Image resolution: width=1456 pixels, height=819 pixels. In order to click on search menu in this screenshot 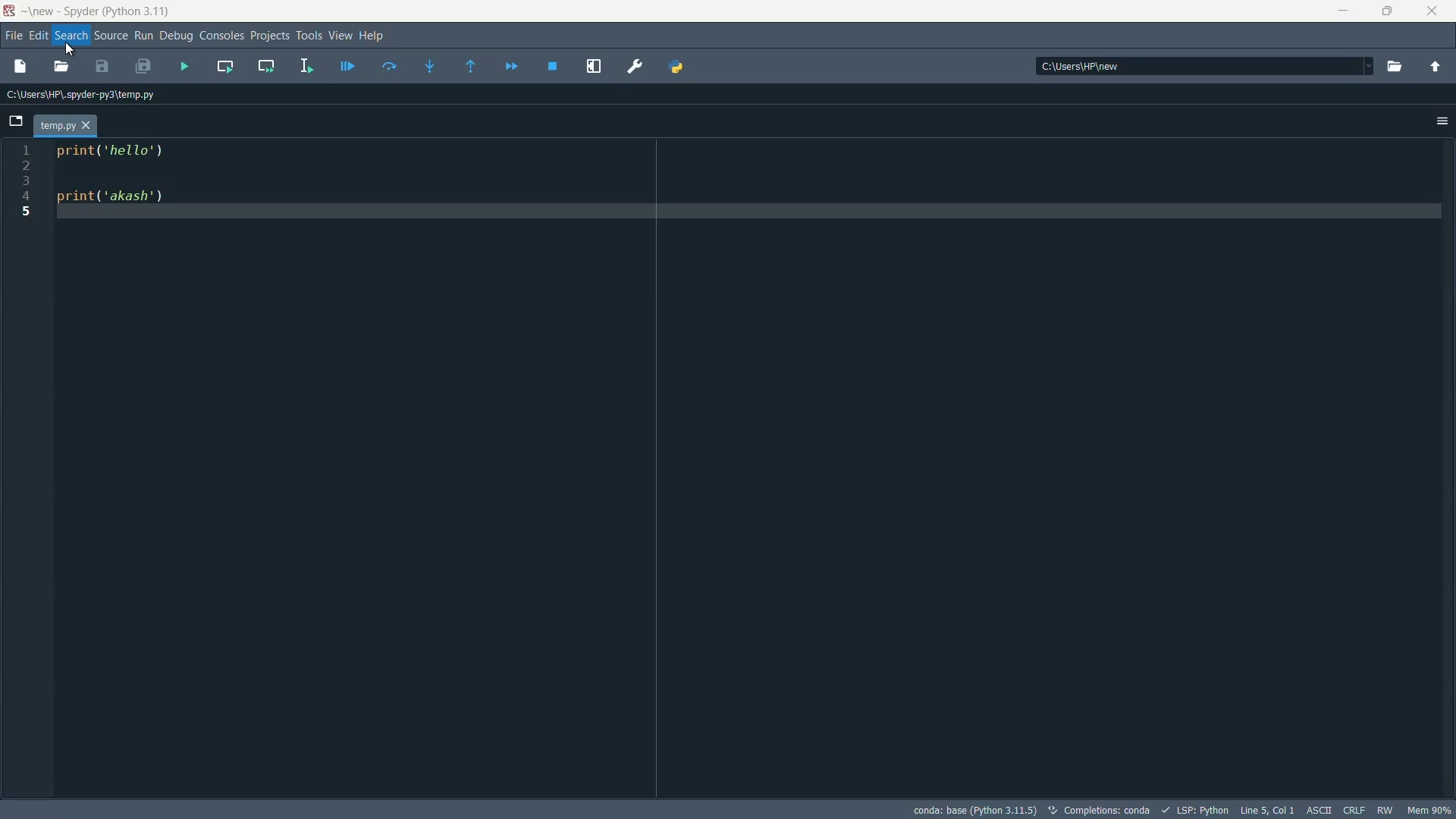, I will do `click(70, 36)`.